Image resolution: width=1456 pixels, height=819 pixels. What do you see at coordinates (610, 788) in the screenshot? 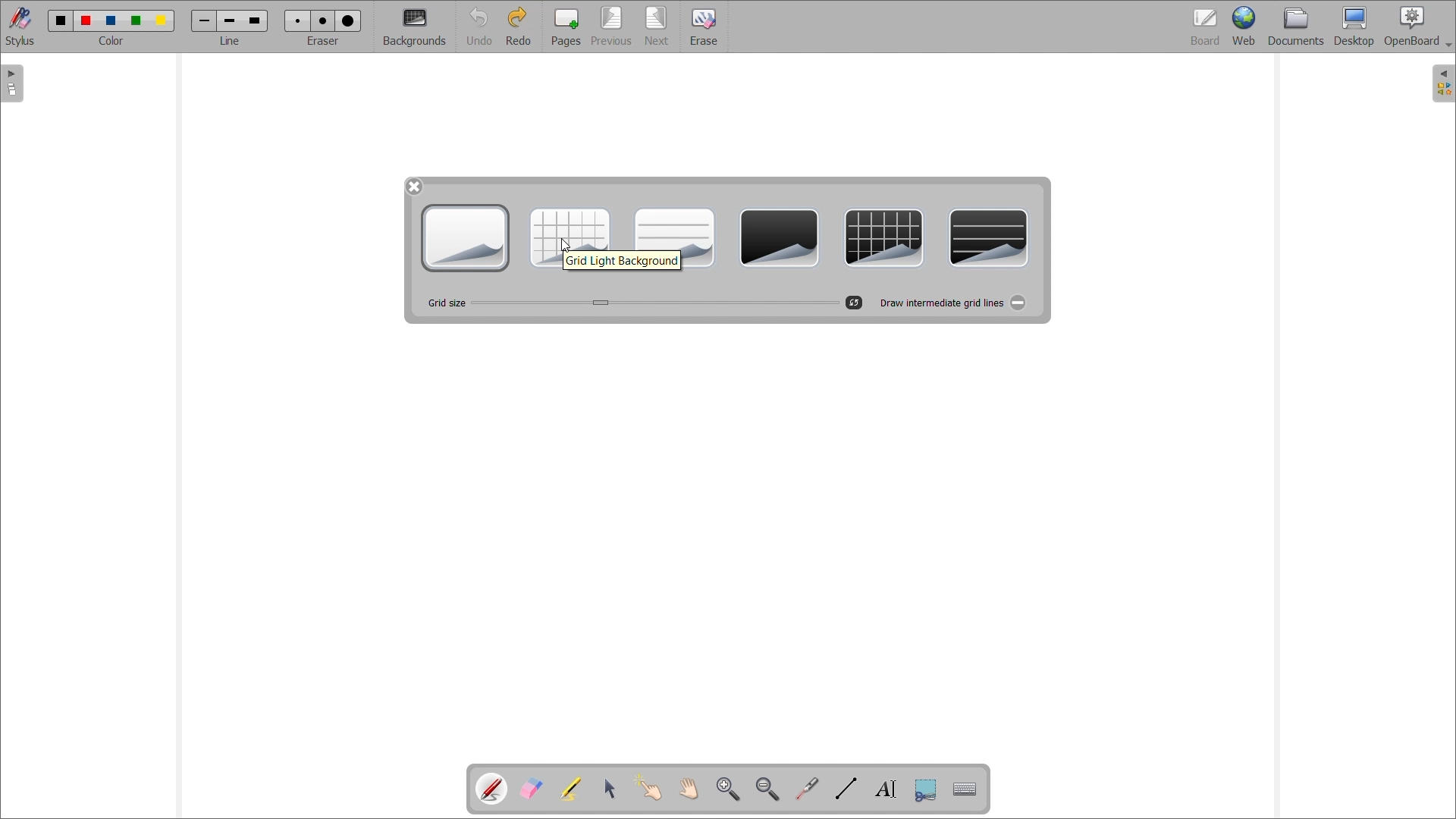
I see `Select and modify objects` at bounding box center [610, 788].